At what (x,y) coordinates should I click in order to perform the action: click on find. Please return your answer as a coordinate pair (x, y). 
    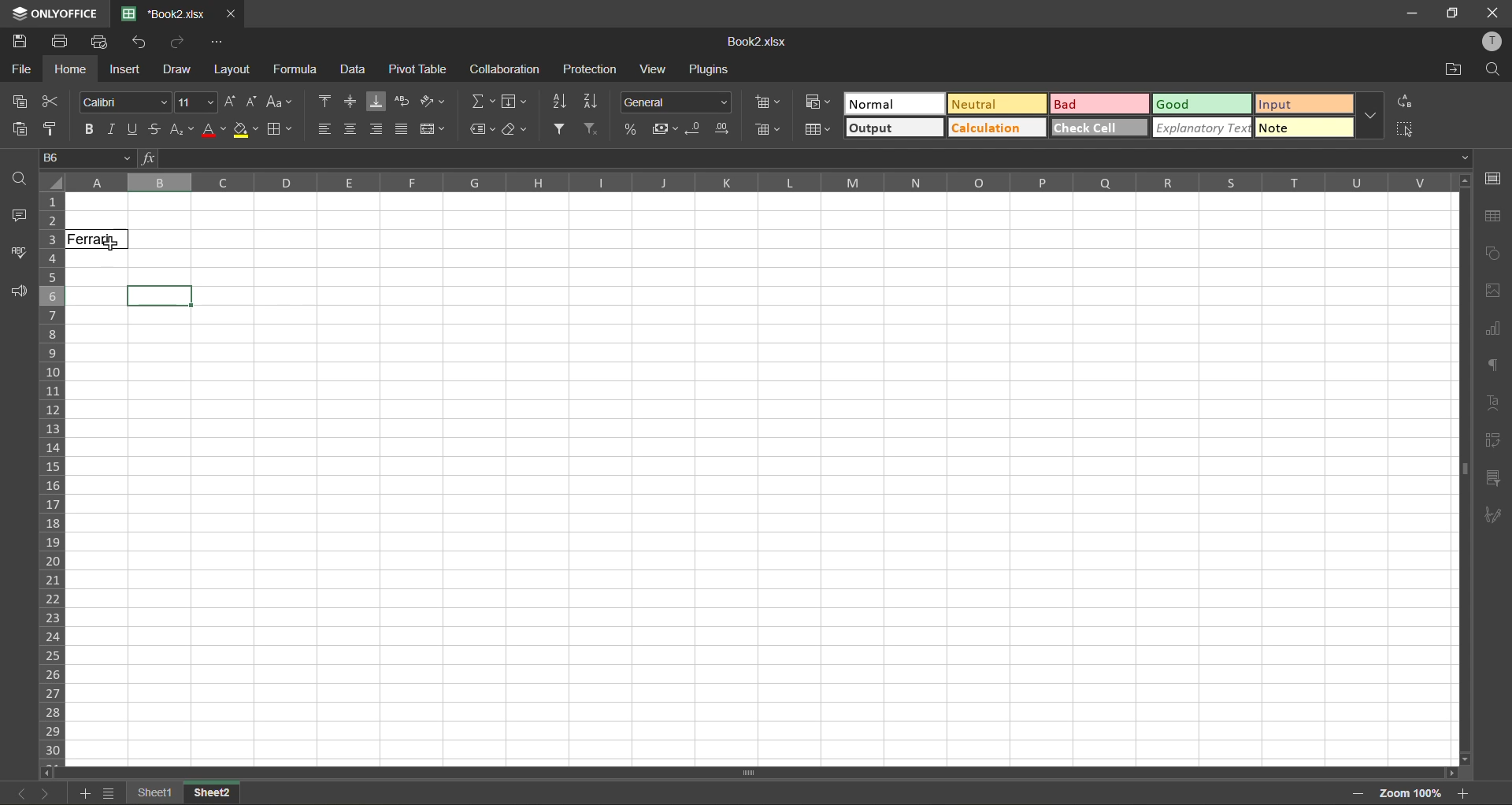
    Looking at the image, I should click on (18, 177).